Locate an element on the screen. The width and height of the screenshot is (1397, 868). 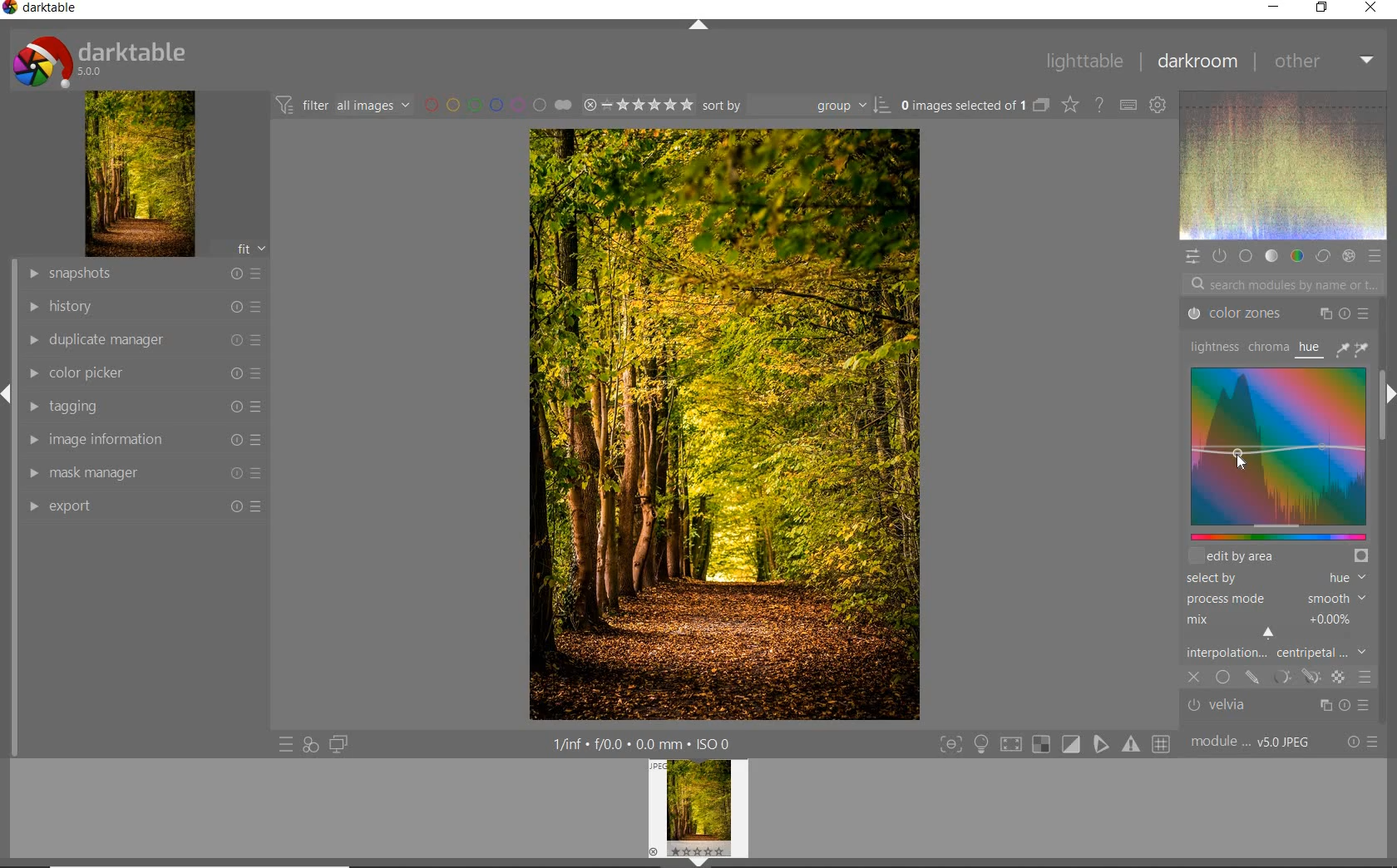
WAVEFORM is located at coordinates (1284, 165).